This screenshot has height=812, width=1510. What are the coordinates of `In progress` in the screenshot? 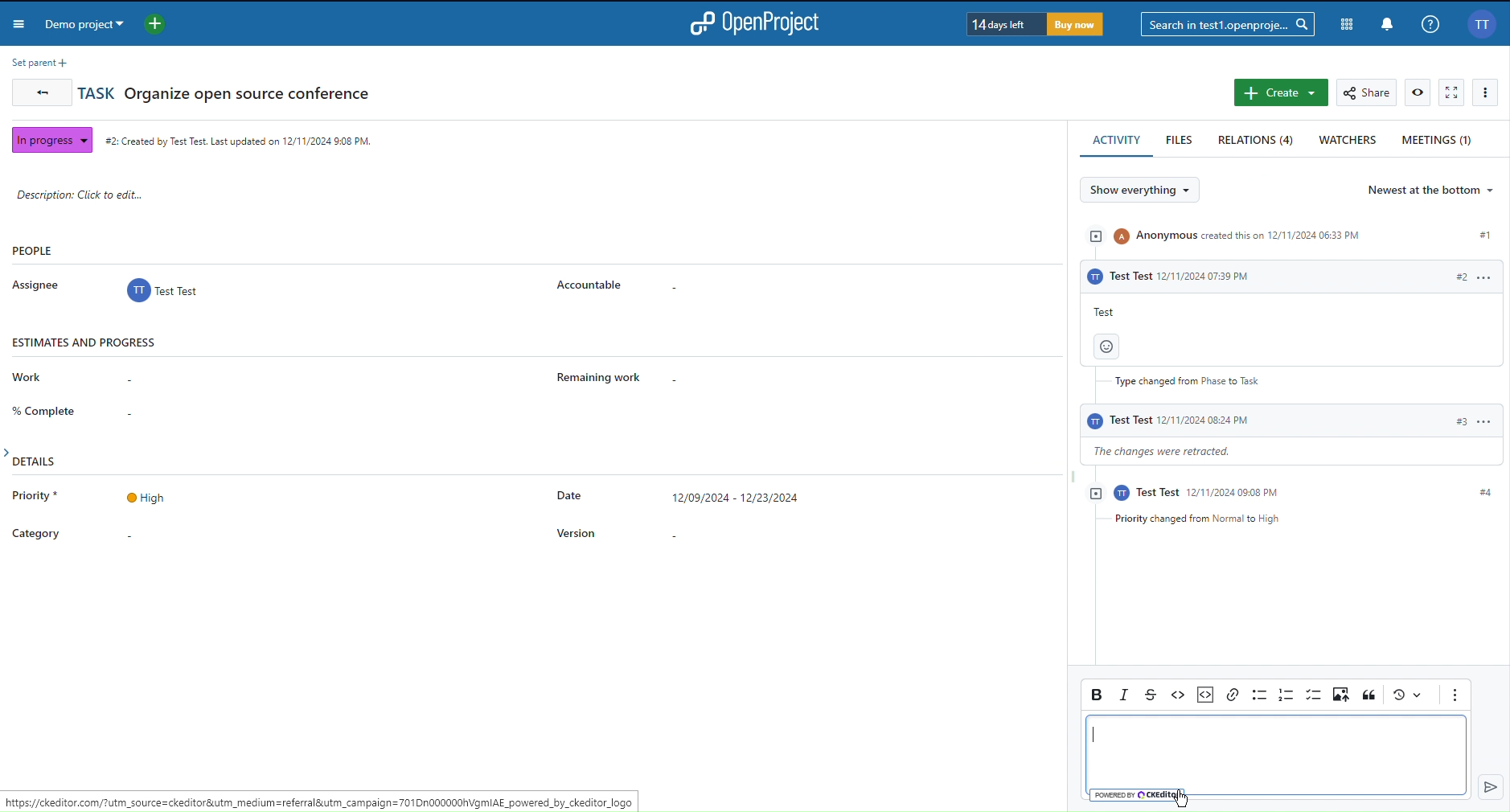 It's located at (49, 138).